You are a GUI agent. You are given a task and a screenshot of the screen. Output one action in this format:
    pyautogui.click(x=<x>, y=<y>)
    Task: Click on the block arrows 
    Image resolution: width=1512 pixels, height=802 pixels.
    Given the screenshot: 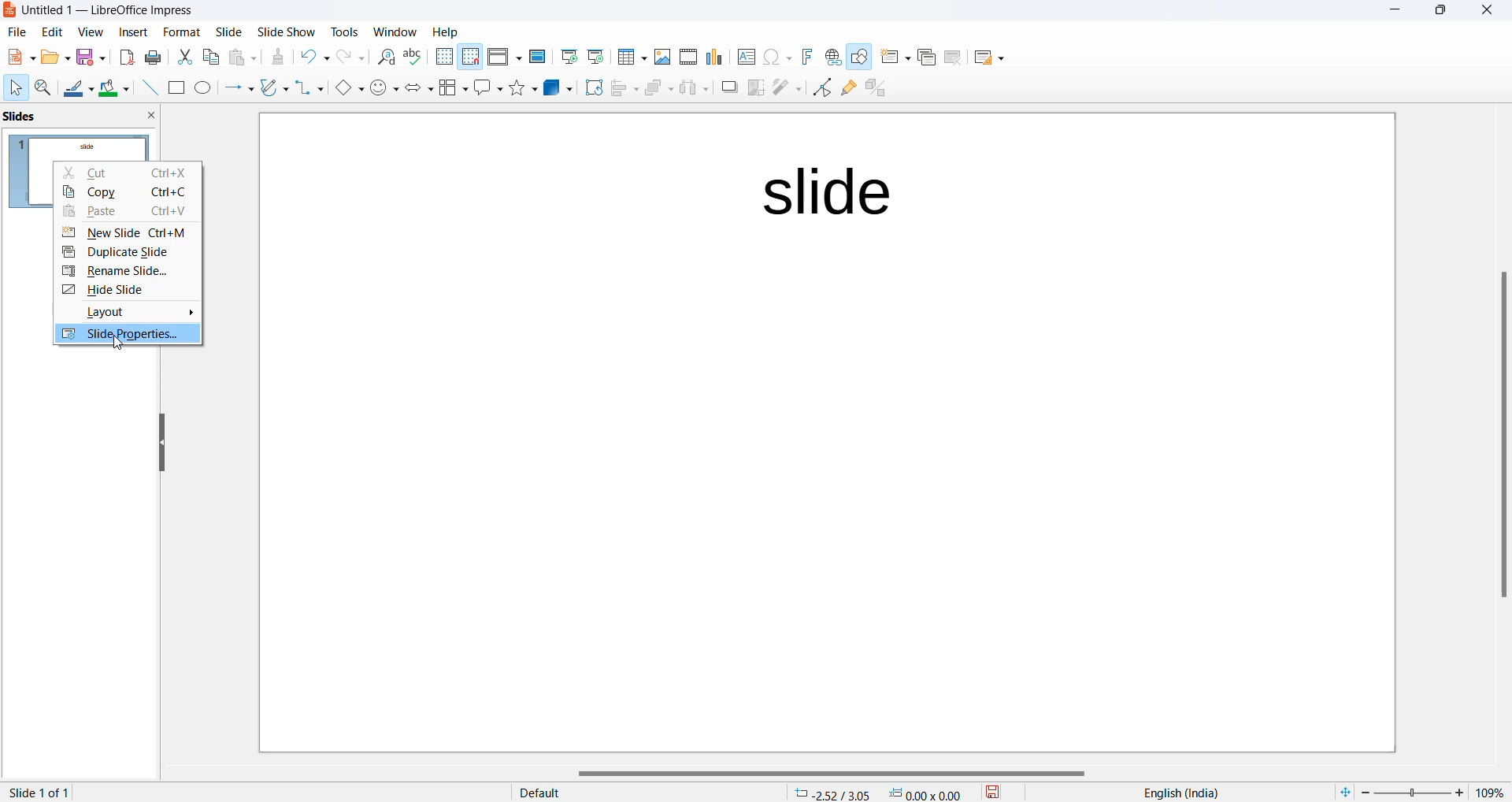 What is the action you would take?
    pyautogui.click(x=421, y=89)
    